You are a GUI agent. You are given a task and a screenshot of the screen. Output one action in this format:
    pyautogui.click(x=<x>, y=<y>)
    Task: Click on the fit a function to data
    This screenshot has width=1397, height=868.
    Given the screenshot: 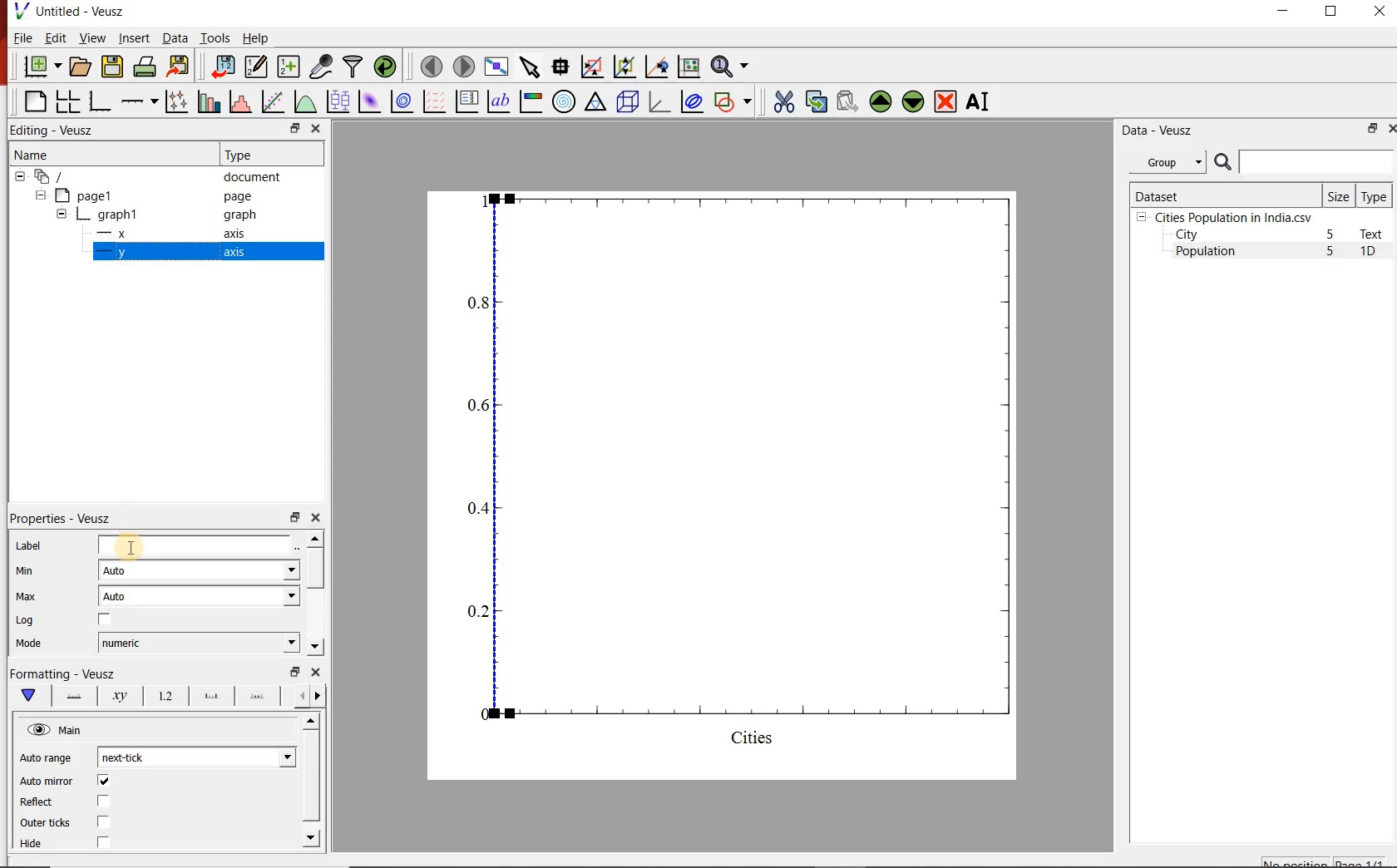 What is the action you would take?
    pyautogui.click(x=272, y=101)
    